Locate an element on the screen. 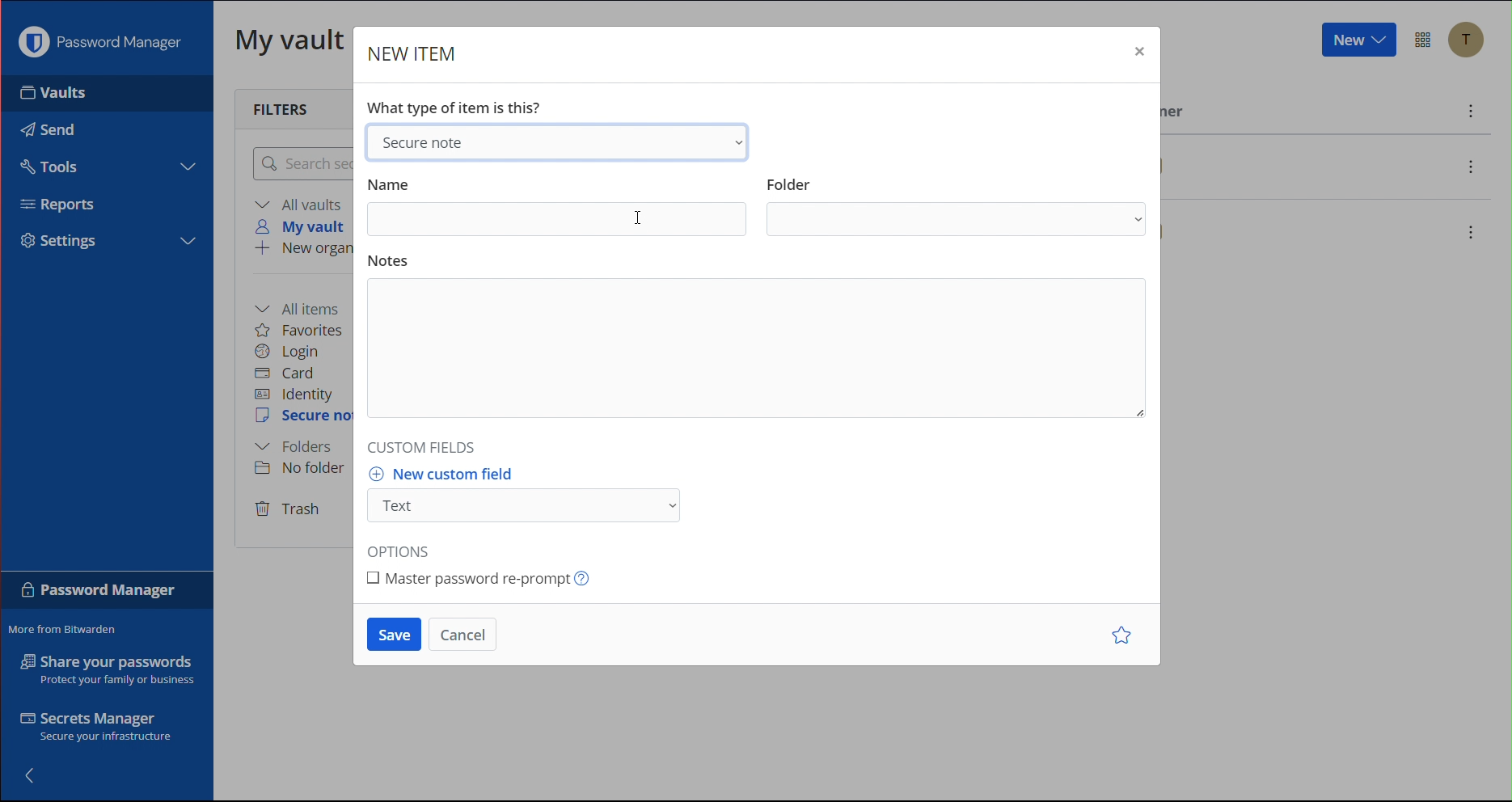 Image resolution: width=1512 pixels, height=802 pixels. Share your passwords is located at coordinates (103, 670).